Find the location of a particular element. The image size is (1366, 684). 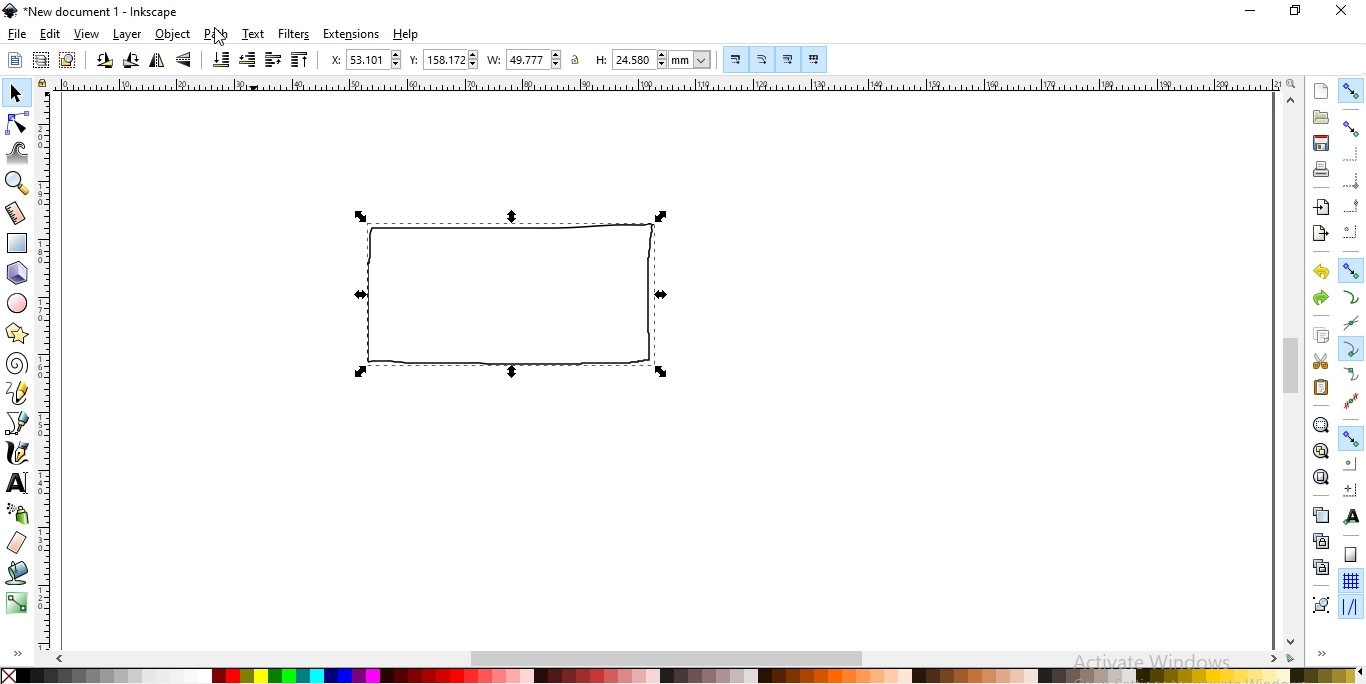

restore down is located at coordinates (1294, 12).